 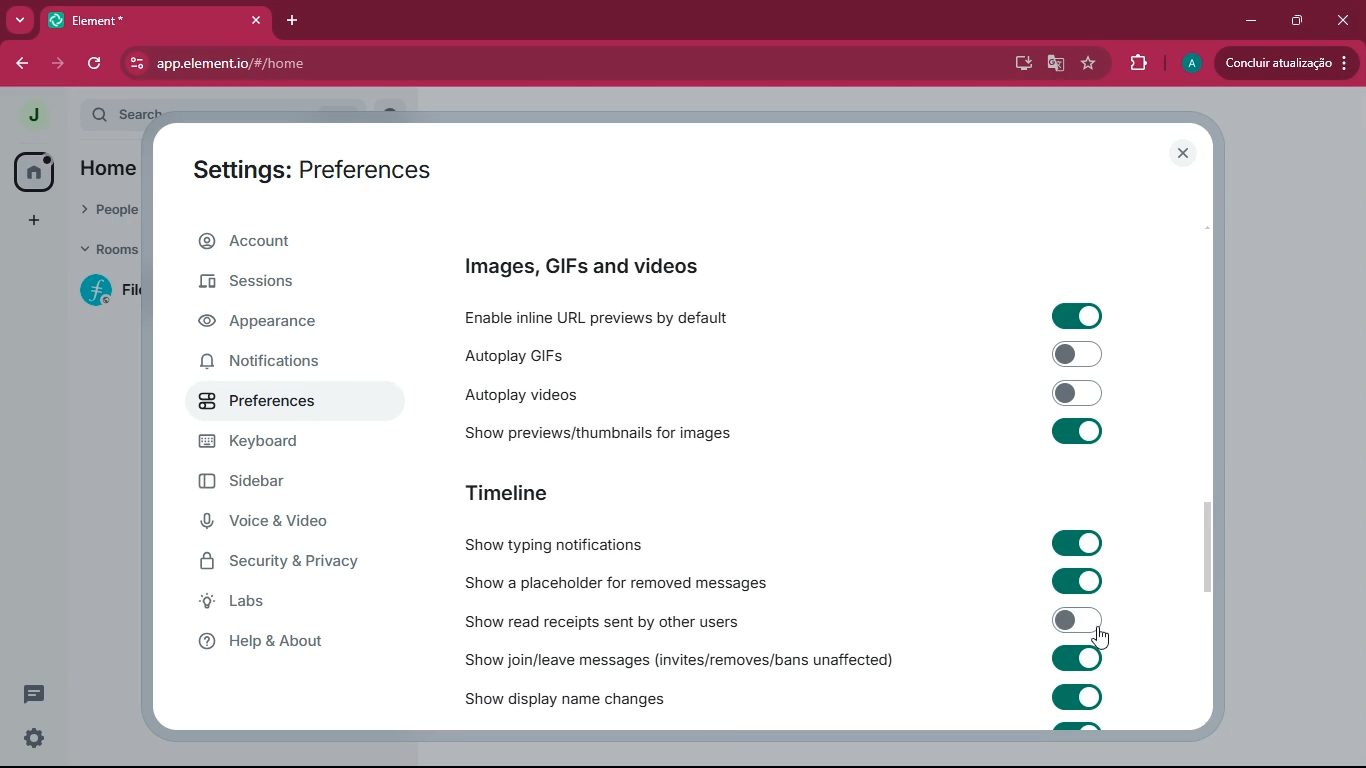 What do you see at coordinates (1078, 393) in the screenshot?
I see `toggle on/off` at bounding box center [1078, 393].